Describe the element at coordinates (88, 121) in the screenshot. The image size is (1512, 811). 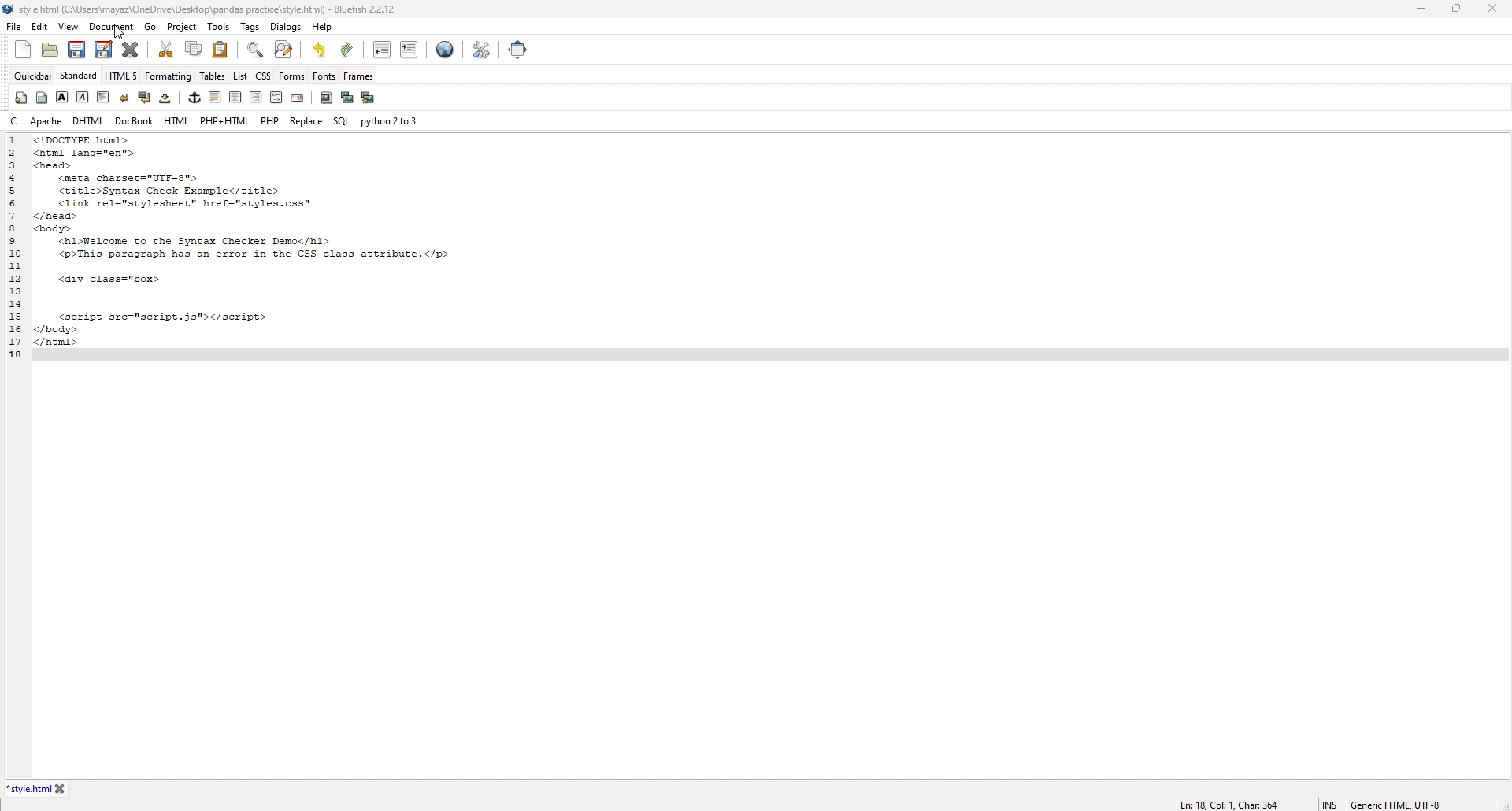
I see `dhtml` at that location.